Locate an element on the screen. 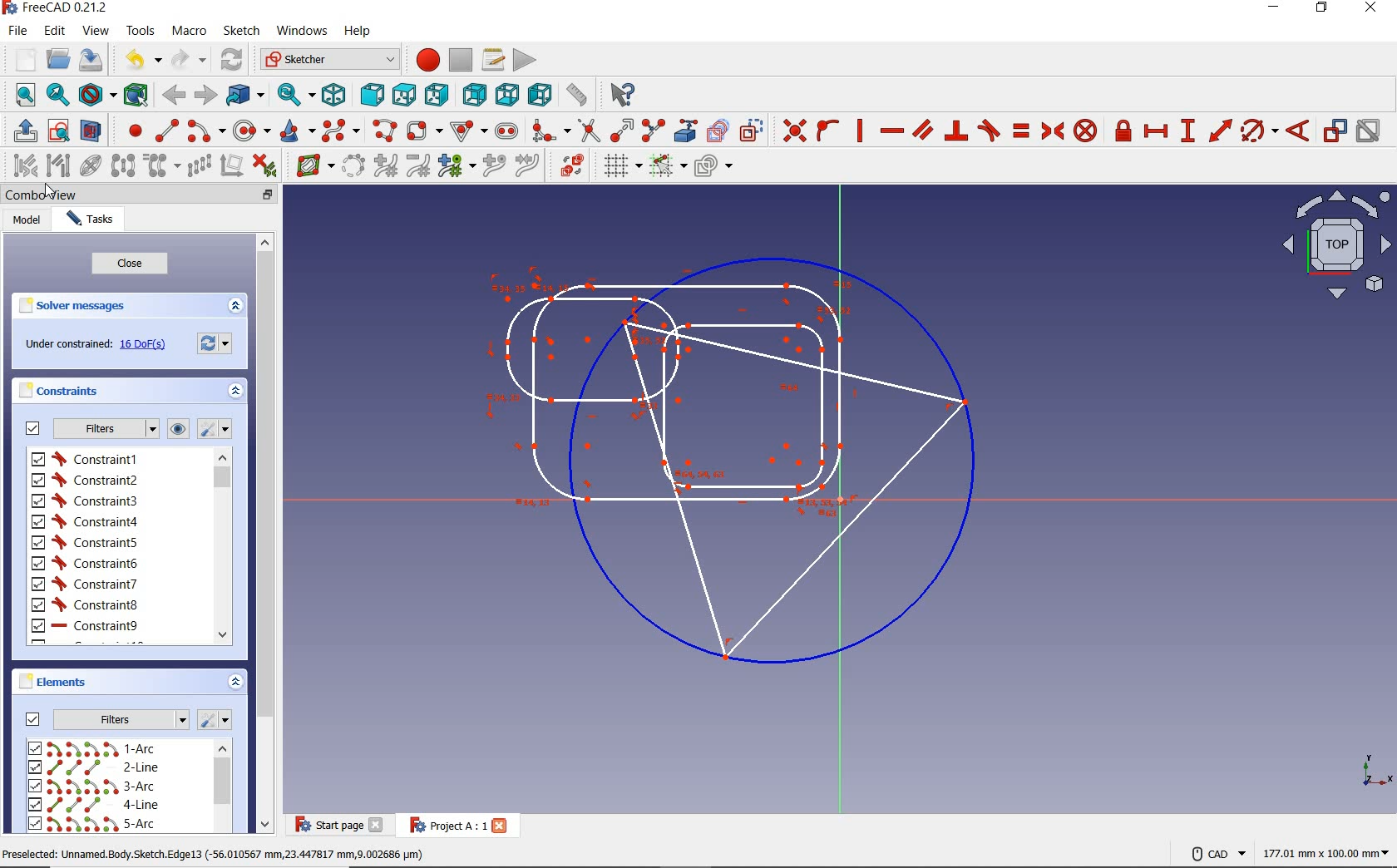 This screenshot has width=1397, height=868. filters is located at coordinates (91, 429).